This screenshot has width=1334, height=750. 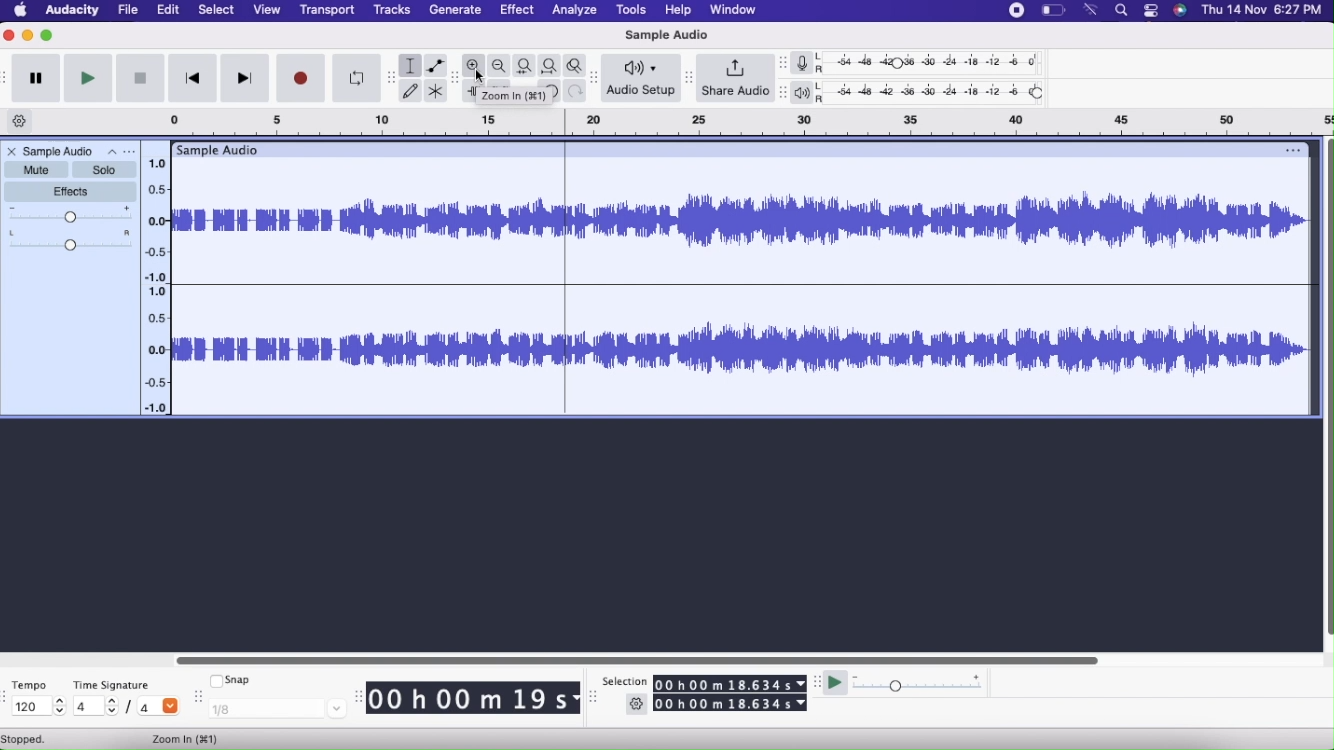 What do you see at coordinates (111, 685) in the screenshot?
I see `Time Signature` at bounding box center [111, 685].